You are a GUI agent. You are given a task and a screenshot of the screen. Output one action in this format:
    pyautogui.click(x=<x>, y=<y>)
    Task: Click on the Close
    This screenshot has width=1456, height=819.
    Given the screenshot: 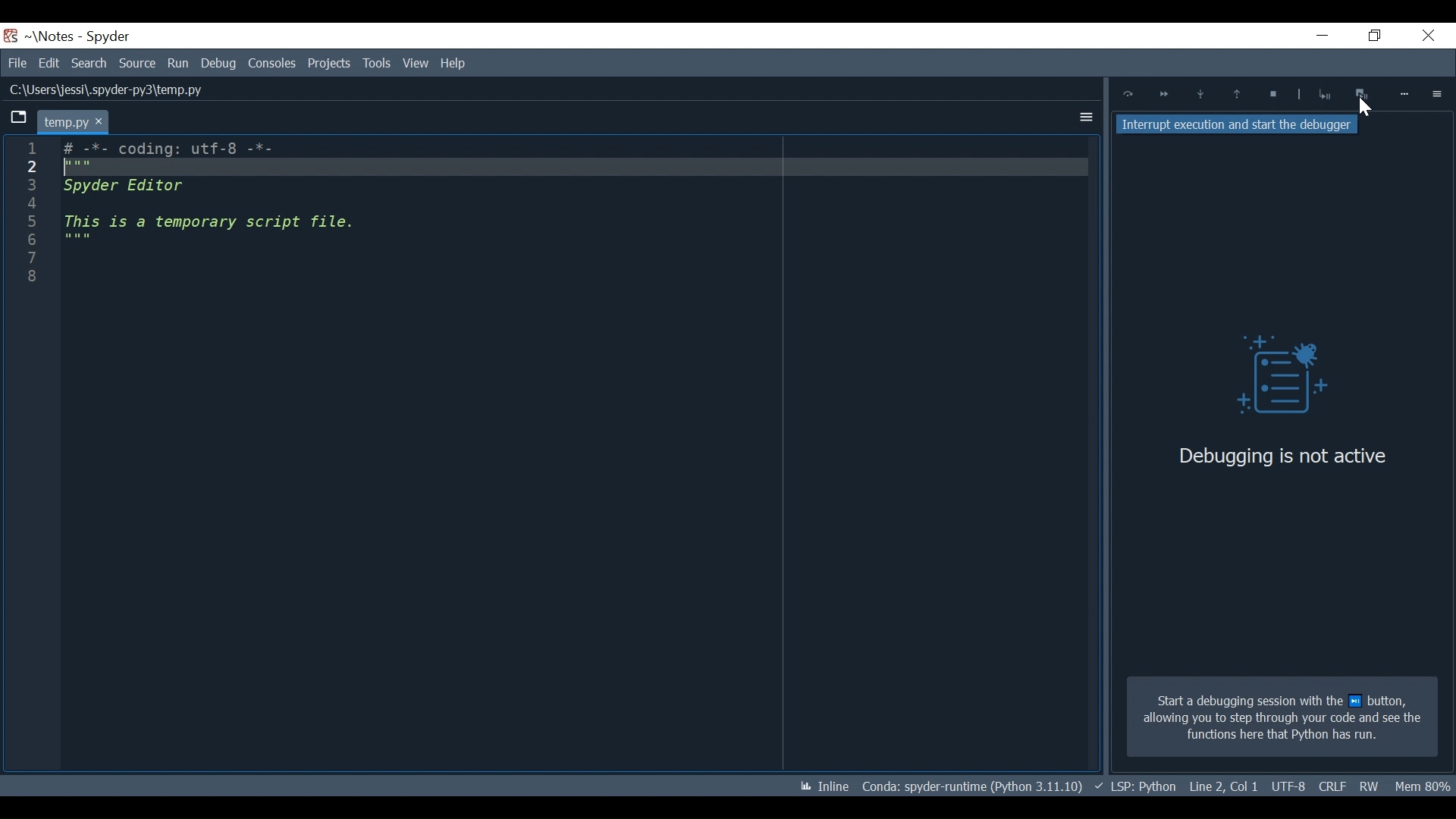 What is the action you would take?
    pyautogui.click(x=1425, y=37)
    